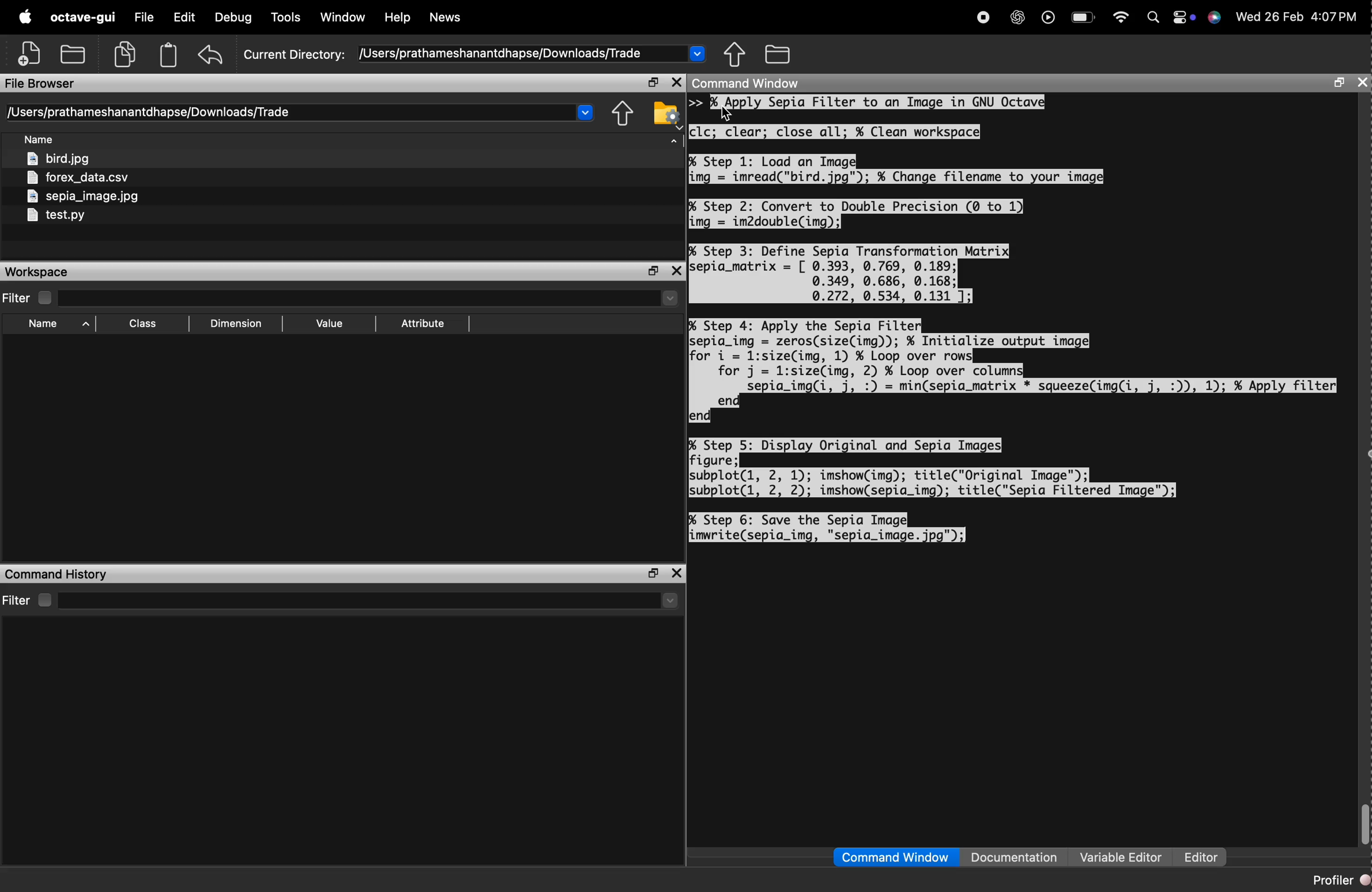 The height and width of the screenshot is (892, 1372). Describe the element at coordinates (42, 84) in the screenshot. I see `File Browser` at that location.